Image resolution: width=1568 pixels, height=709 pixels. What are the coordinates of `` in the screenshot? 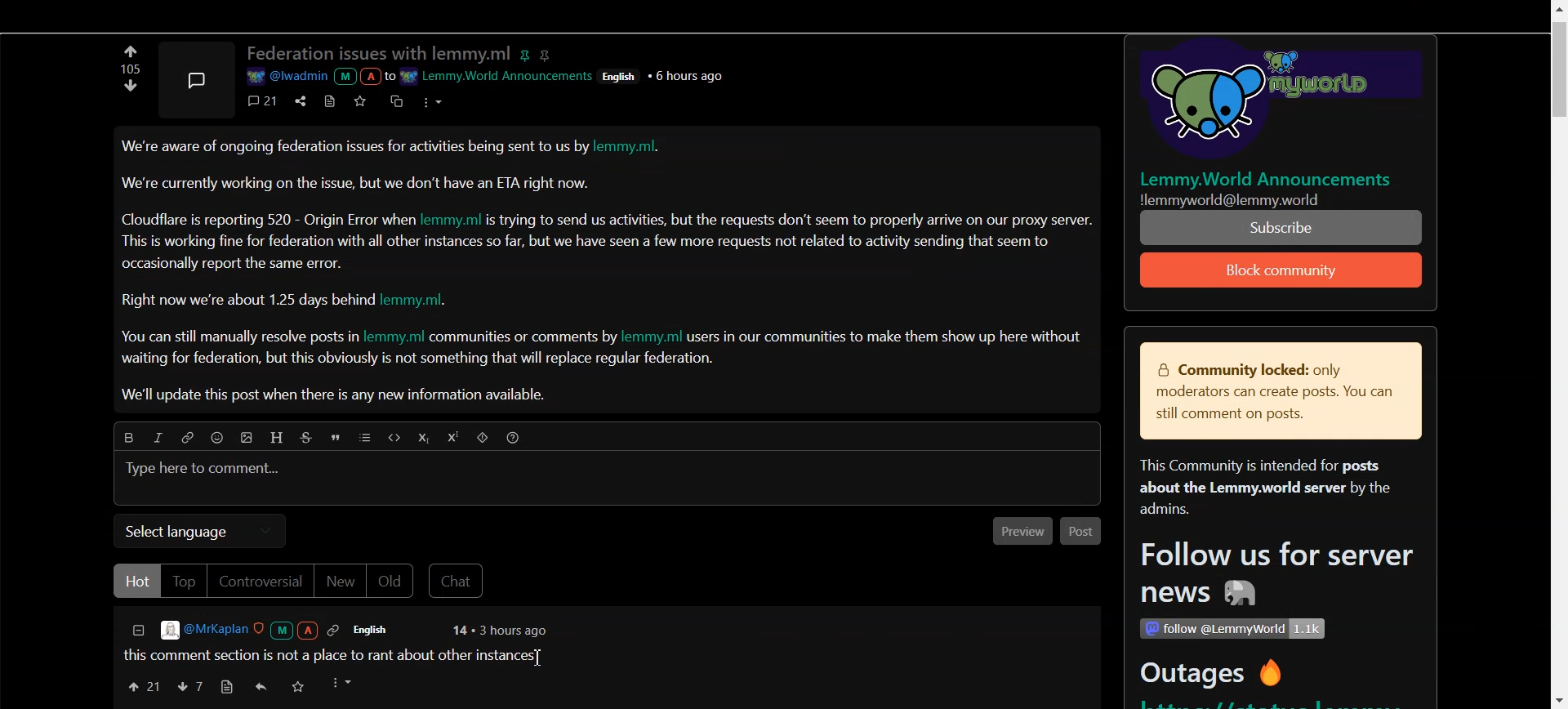 It's located at (1252, 199).